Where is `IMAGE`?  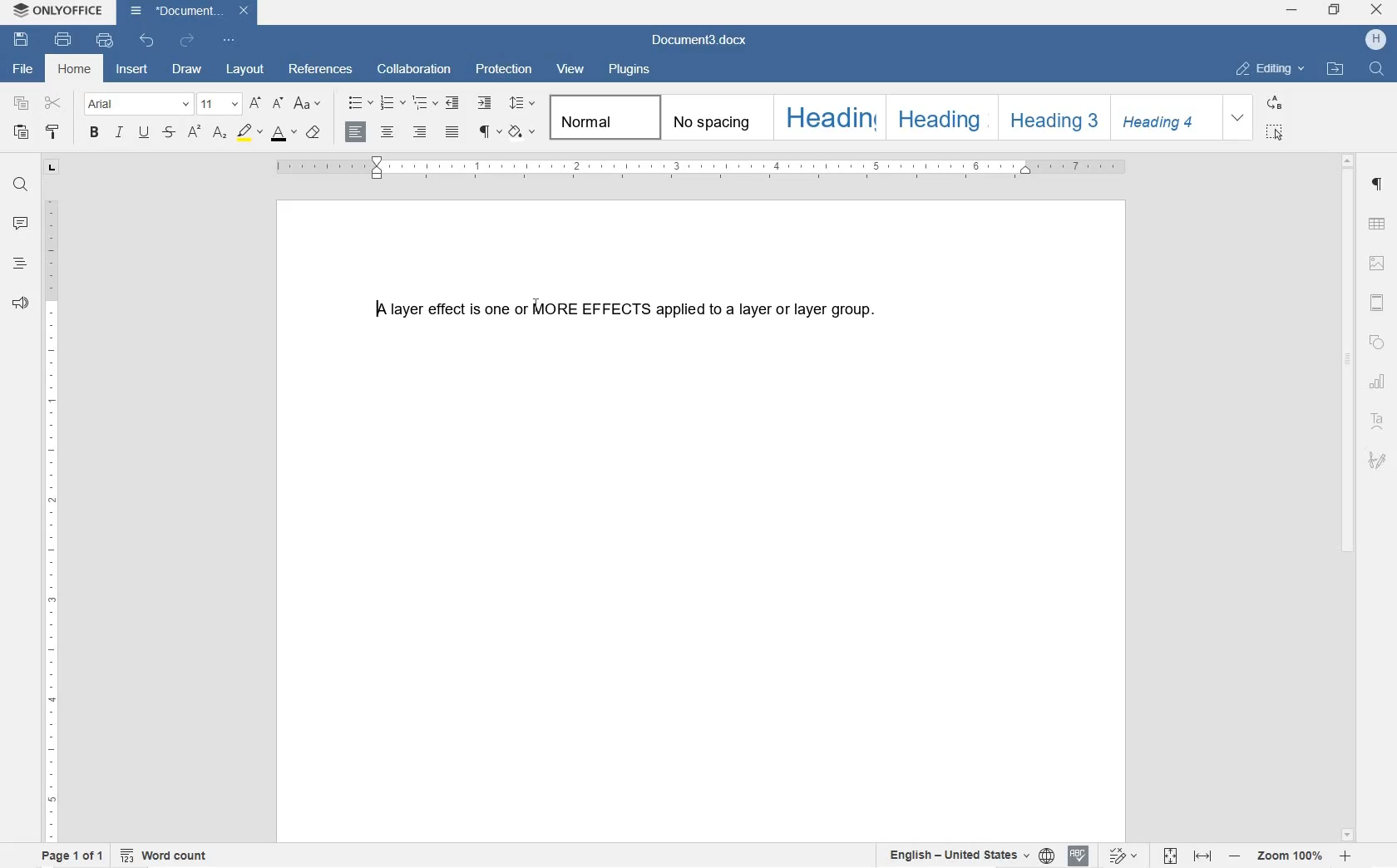 IMAGE is located at coordinates (1380, 264).